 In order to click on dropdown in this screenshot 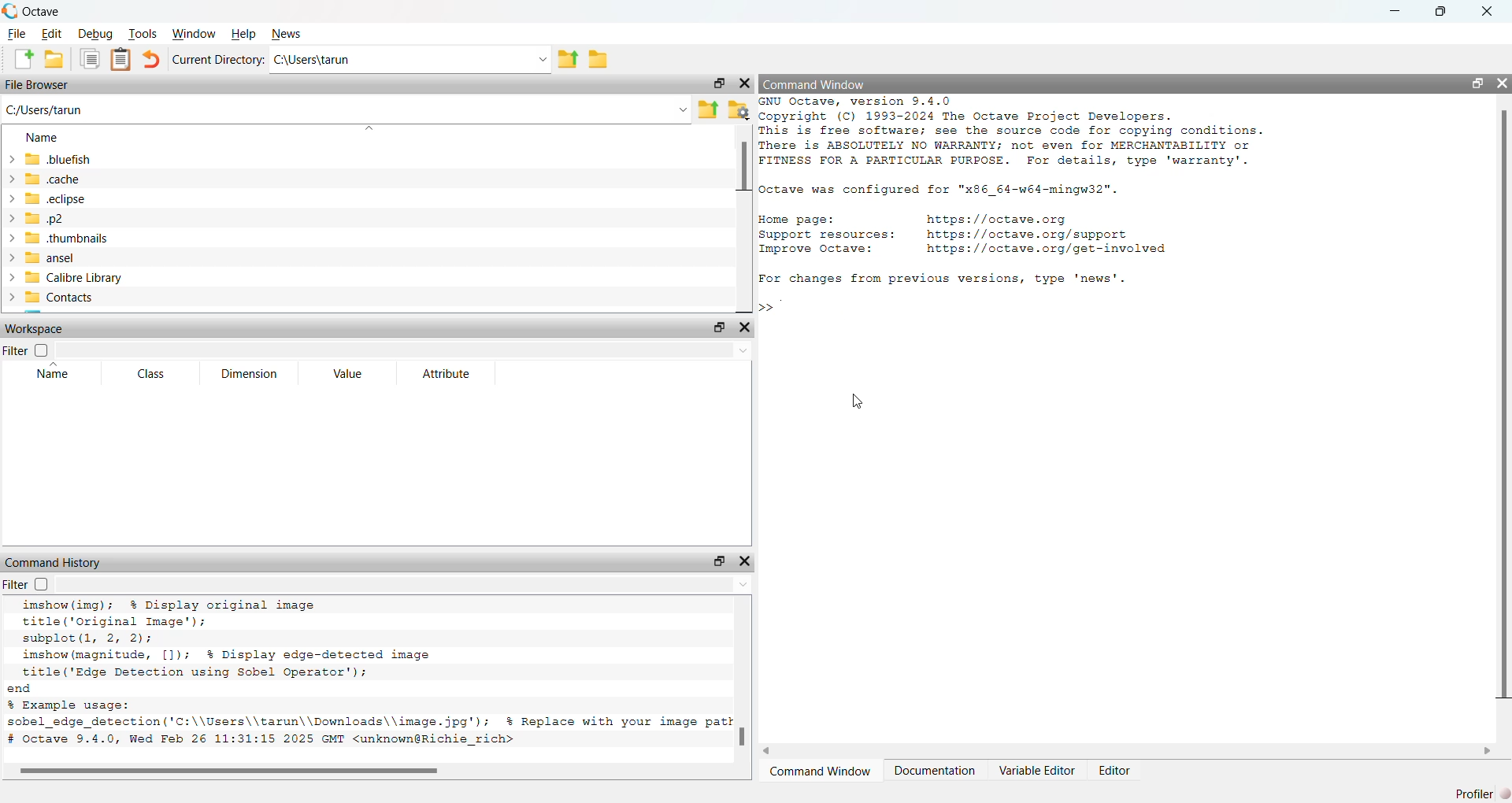, I will do `click(406, 351)`.